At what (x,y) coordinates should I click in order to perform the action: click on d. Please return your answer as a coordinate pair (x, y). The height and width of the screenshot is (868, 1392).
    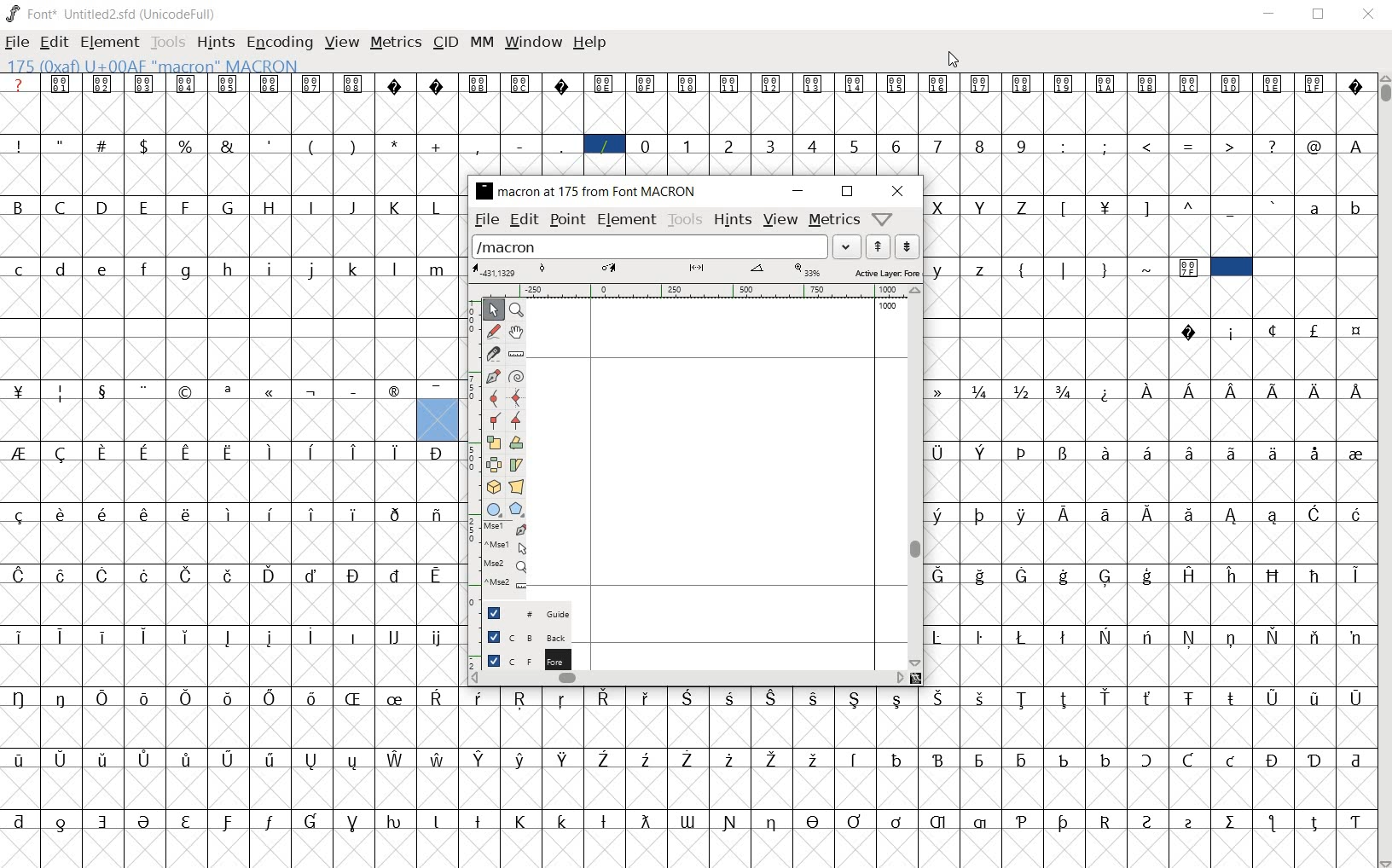
    Looking at the image, I should click on (61, 268).